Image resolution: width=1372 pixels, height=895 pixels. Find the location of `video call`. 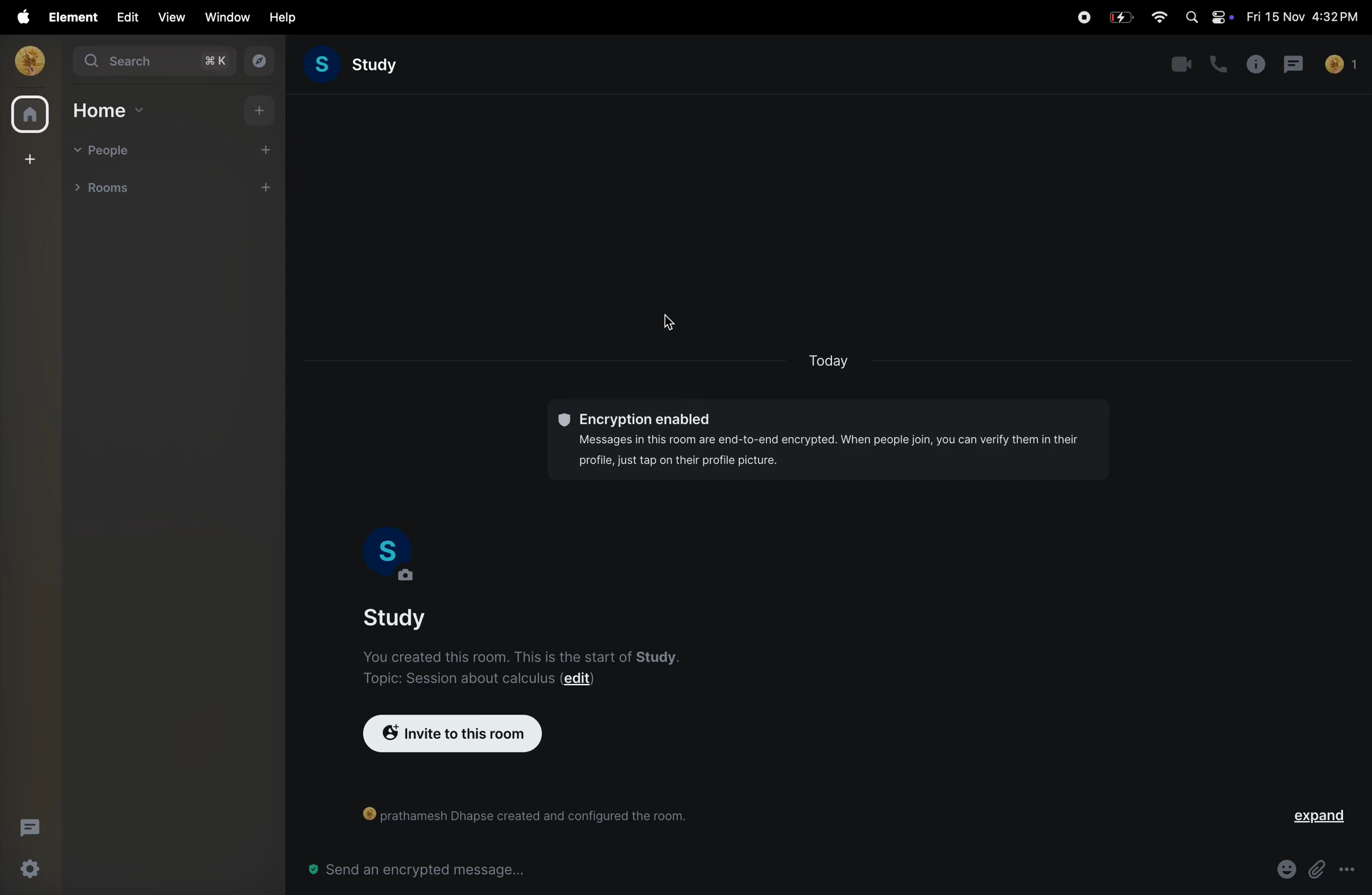

video call is located at coordinates (1180, 64).